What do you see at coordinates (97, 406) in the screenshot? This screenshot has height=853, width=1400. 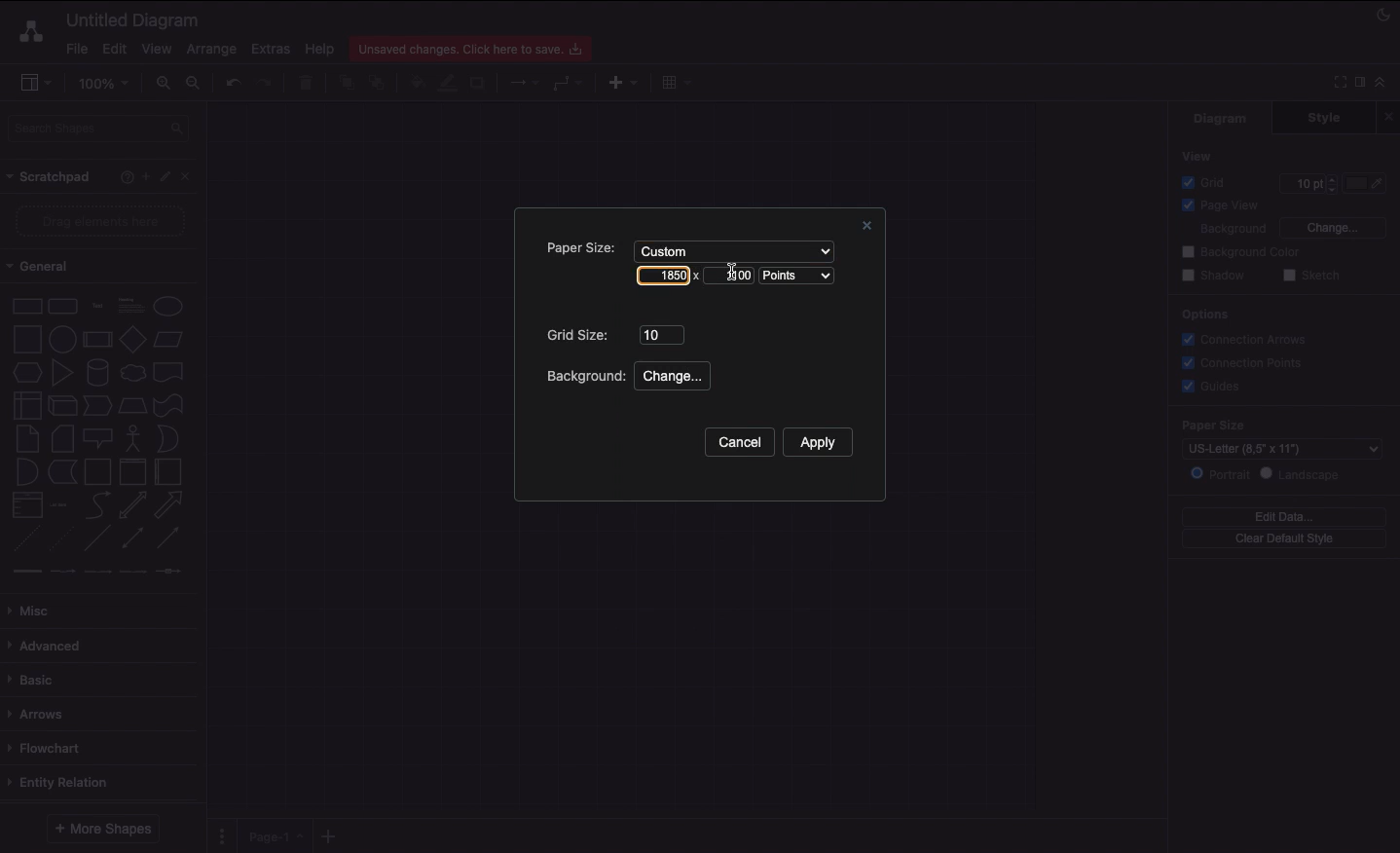 I see `Step` at bounding box center [97, 406].